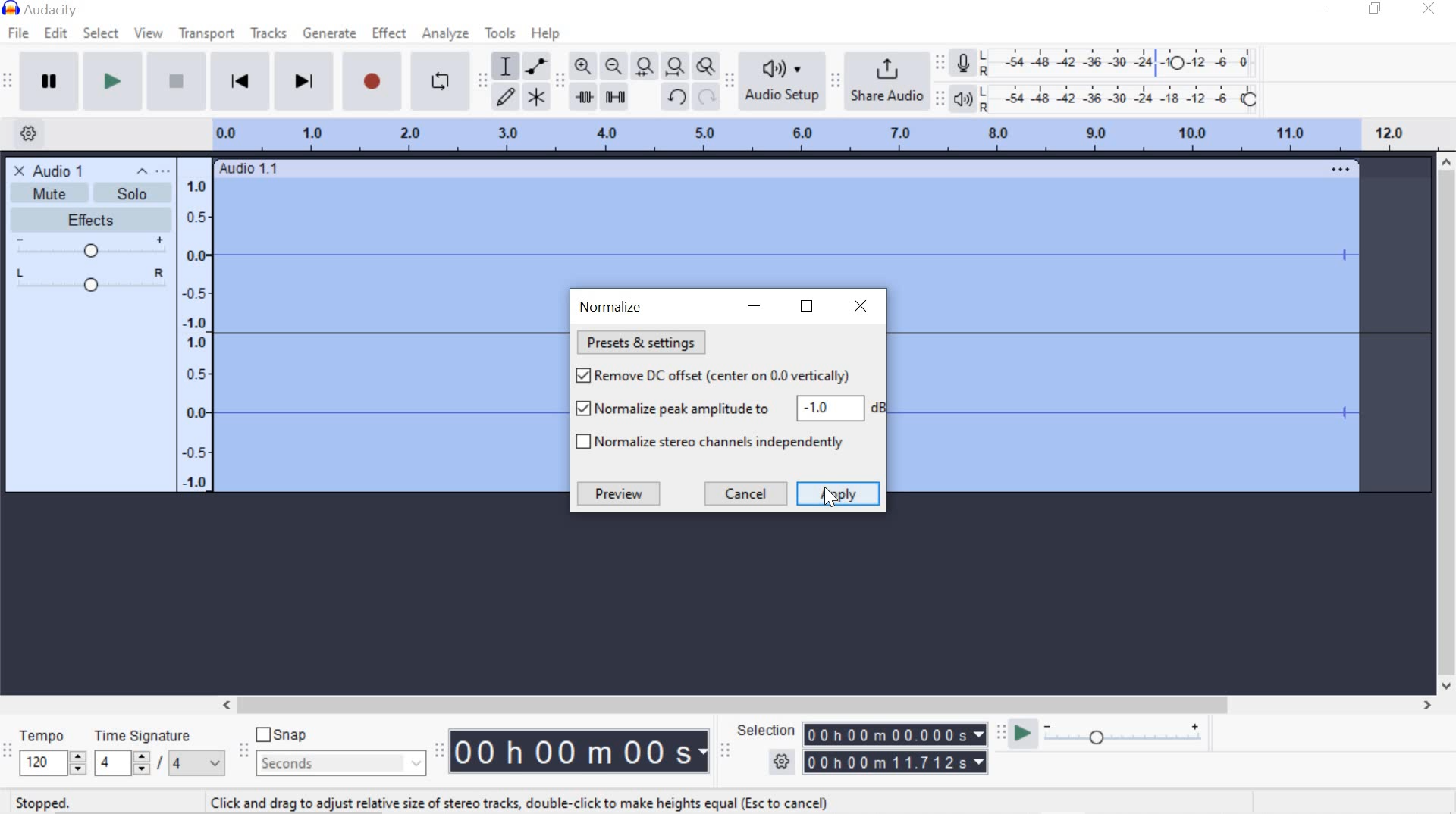  What do you see at coordinates (149, 33) in the screenshot?
I see `view` at bounding box center [149, 33].